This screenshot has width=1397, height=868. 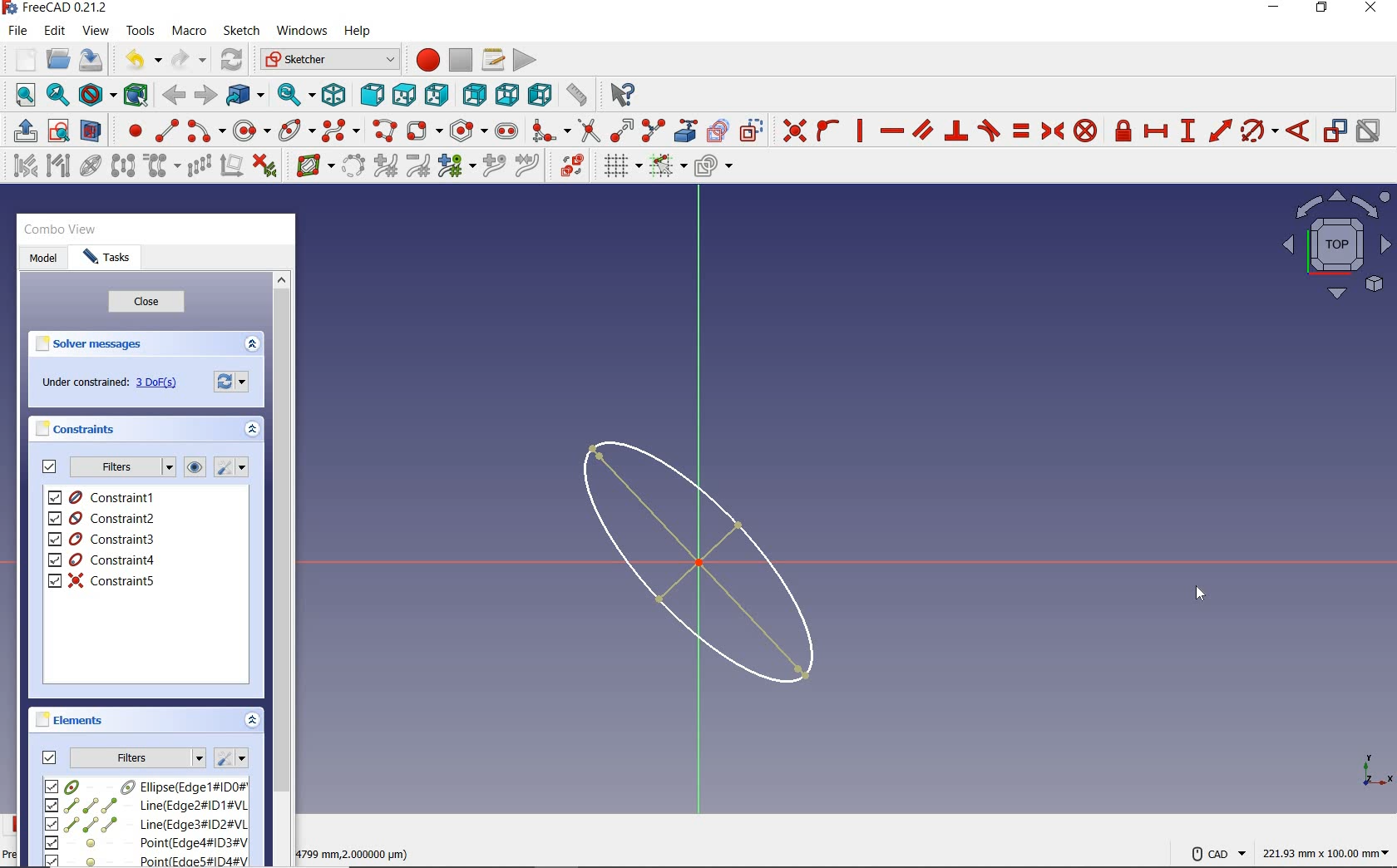 What do you see at coordinates (230, 758) in the screenshot?
I see `settings` at bounding box center [230, 758].